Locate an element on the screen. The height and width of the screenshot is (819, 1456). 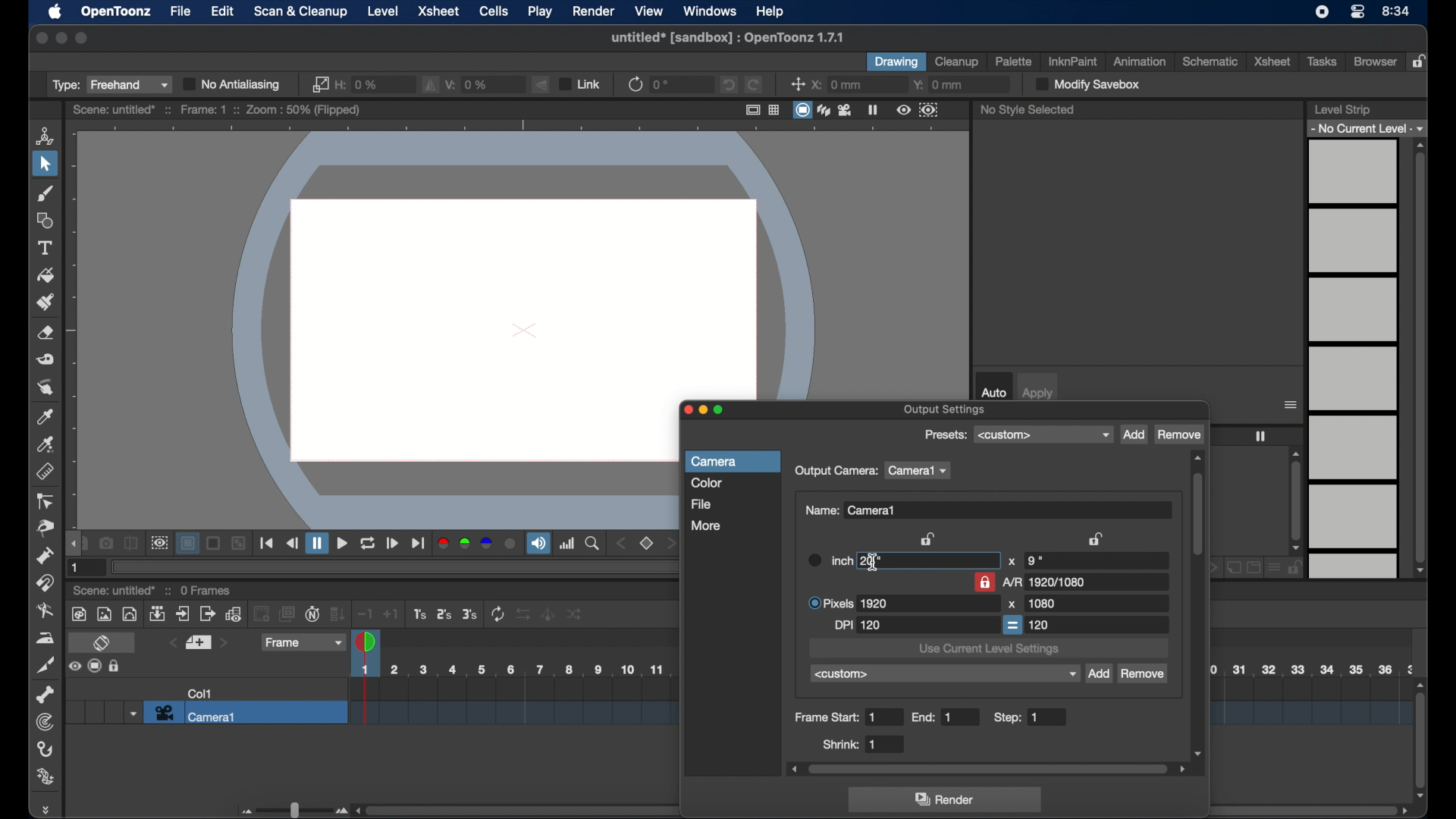
preview is located at coordinates (159, 543).